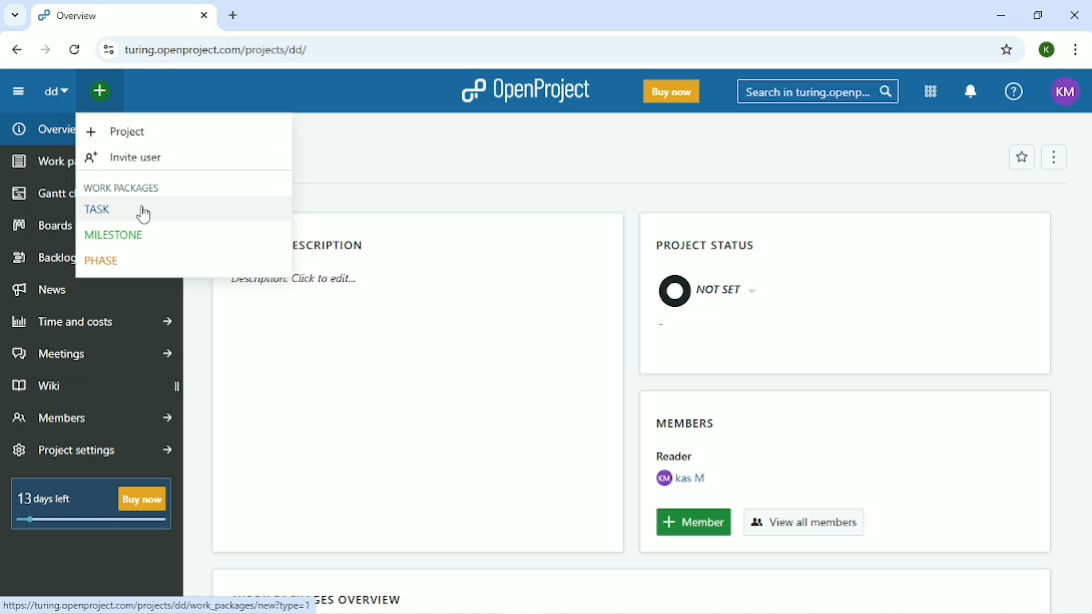 Image resolution: width=1092 pixels, height=614 pixels. I want to click on Project settings, so click(94, 451).